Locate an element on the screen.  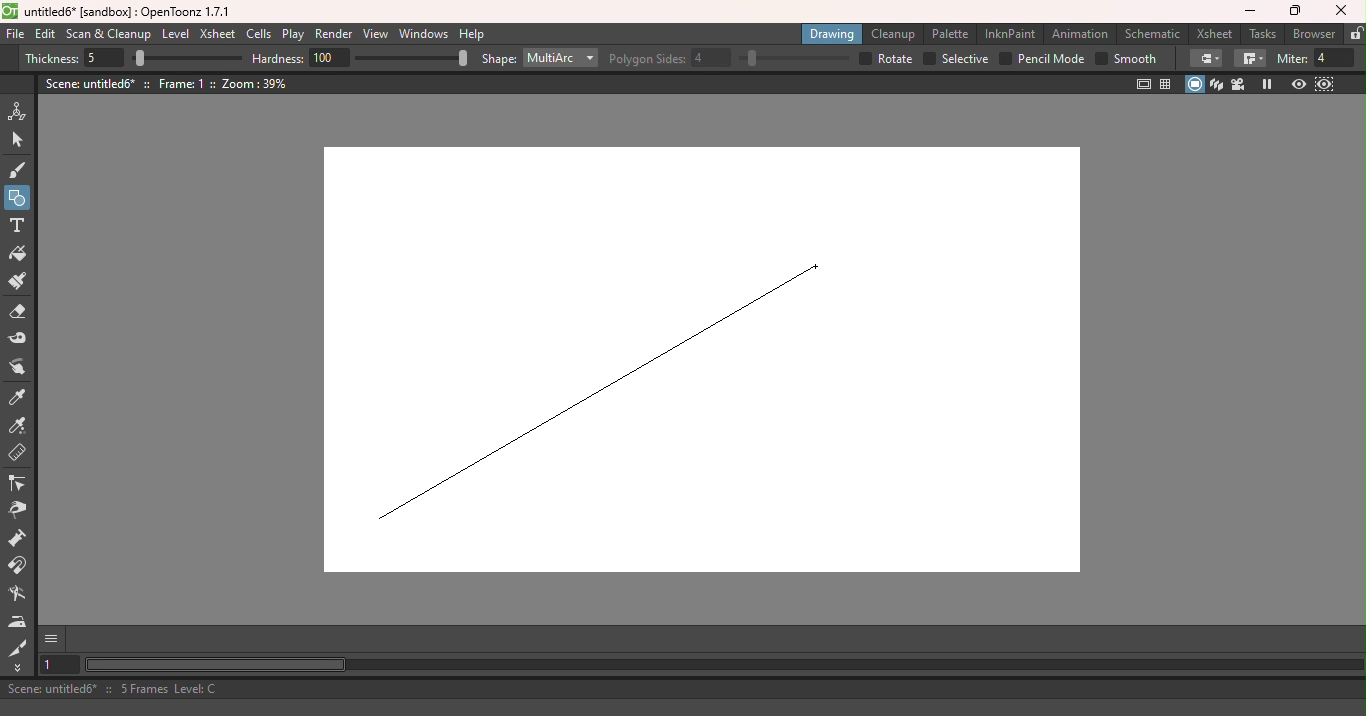
Minimize is located at coordinates (1248, 12).